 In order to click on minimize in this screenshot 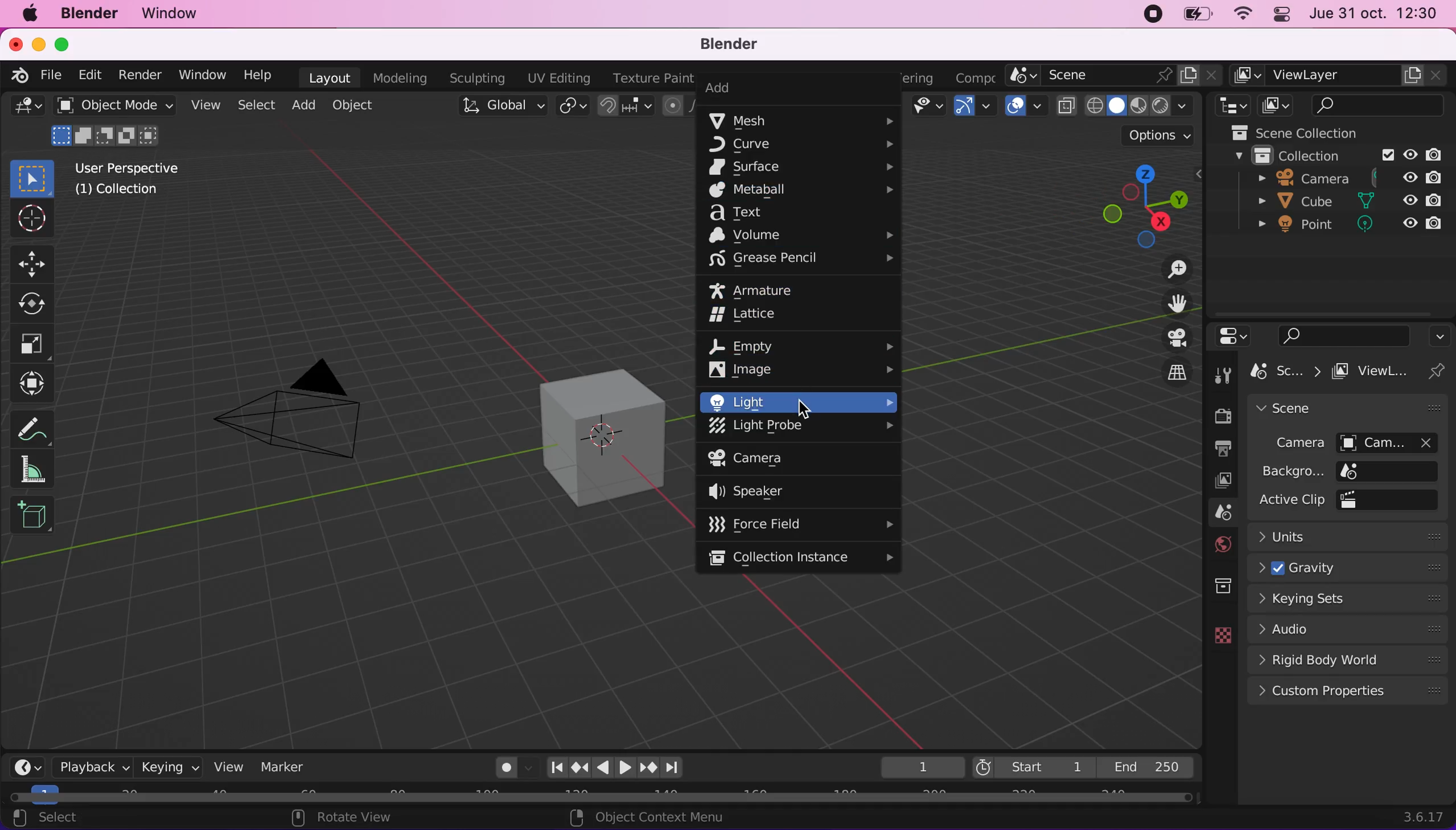, I will do `click(38, 43)`.